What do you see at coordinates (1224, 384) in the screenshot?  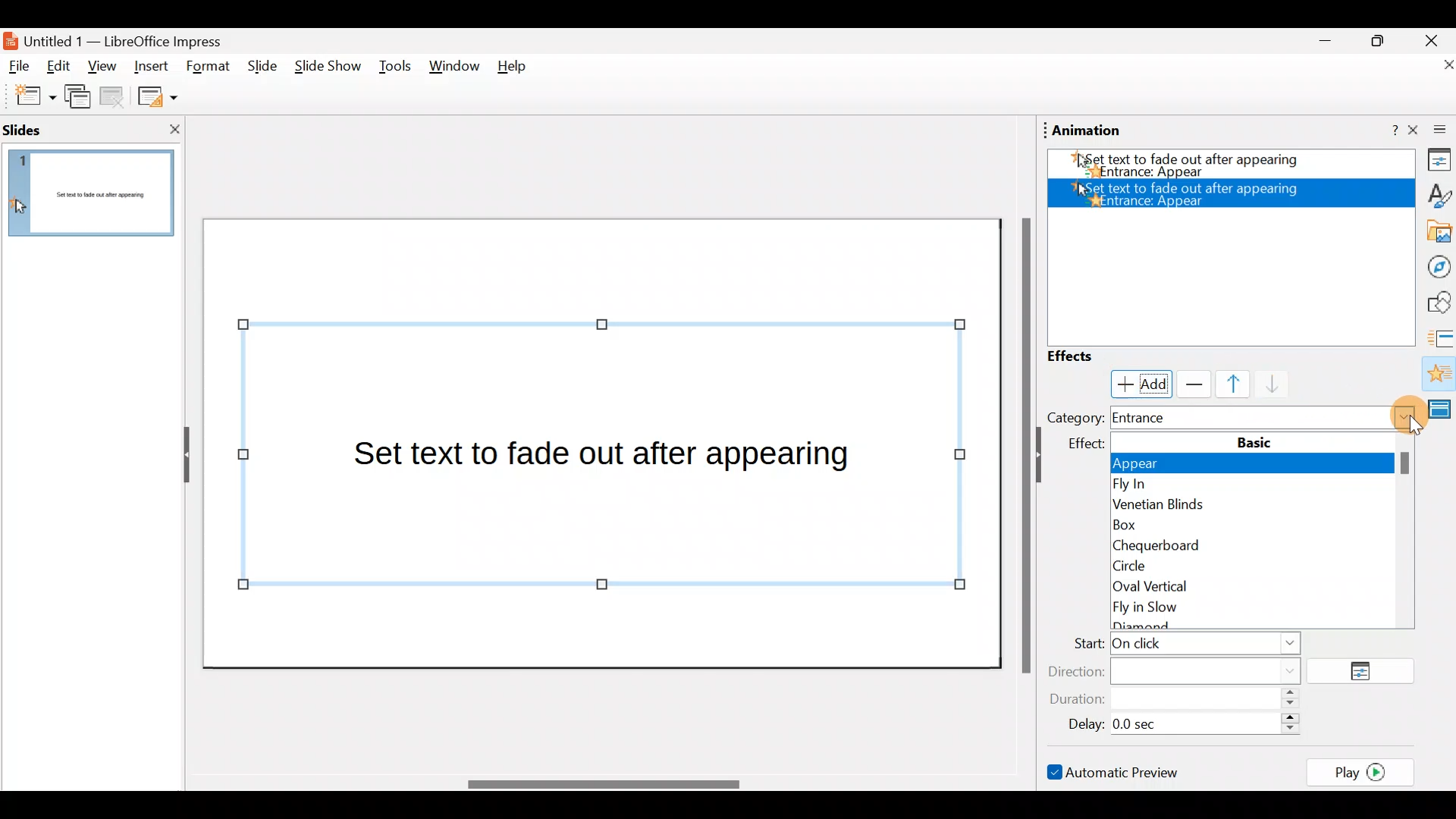 I see `Move up` at bounding box center [1224, 384].